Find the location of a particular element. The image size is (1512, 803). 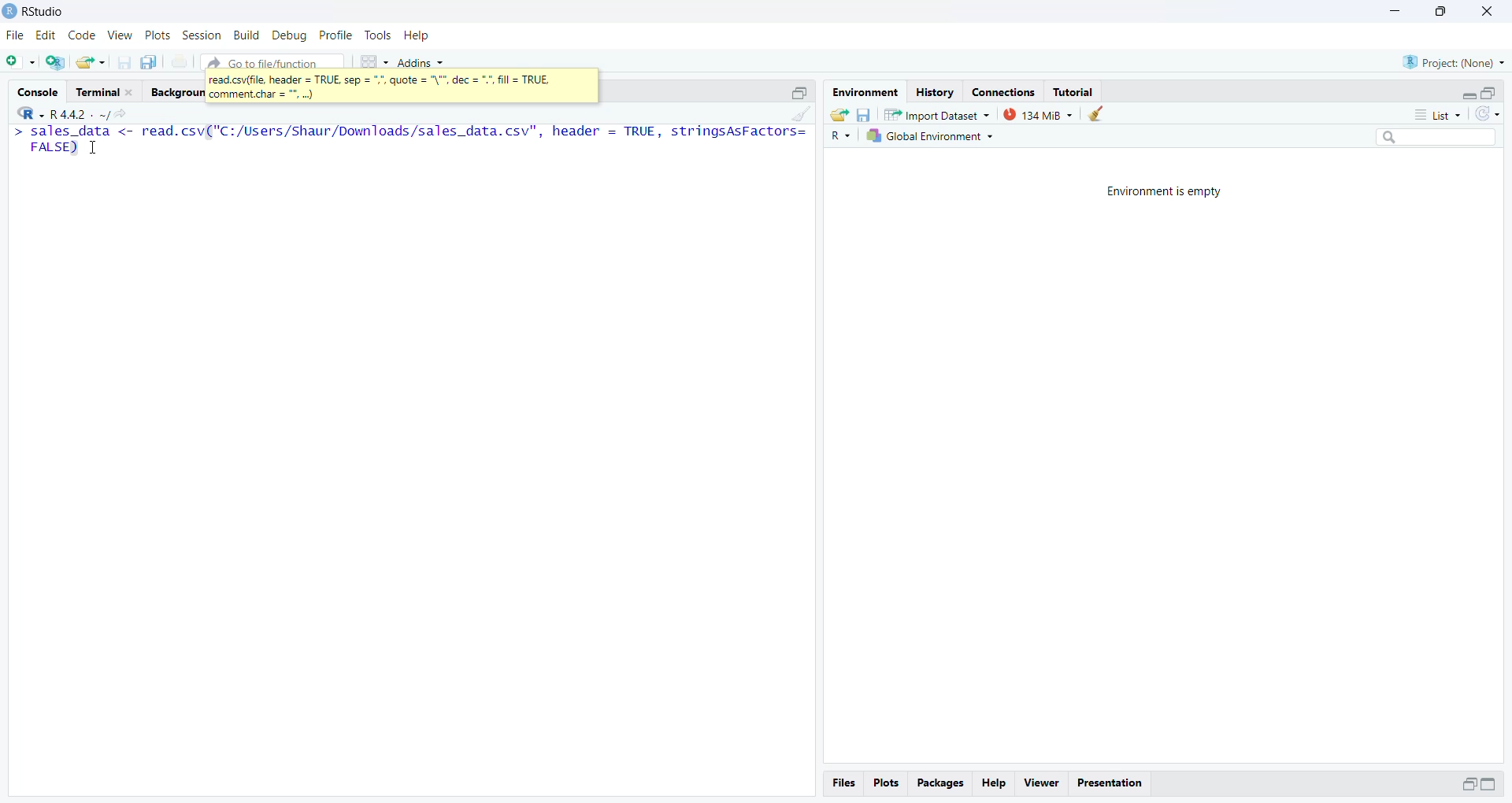

Terminal is located at coordinates (102, 92).